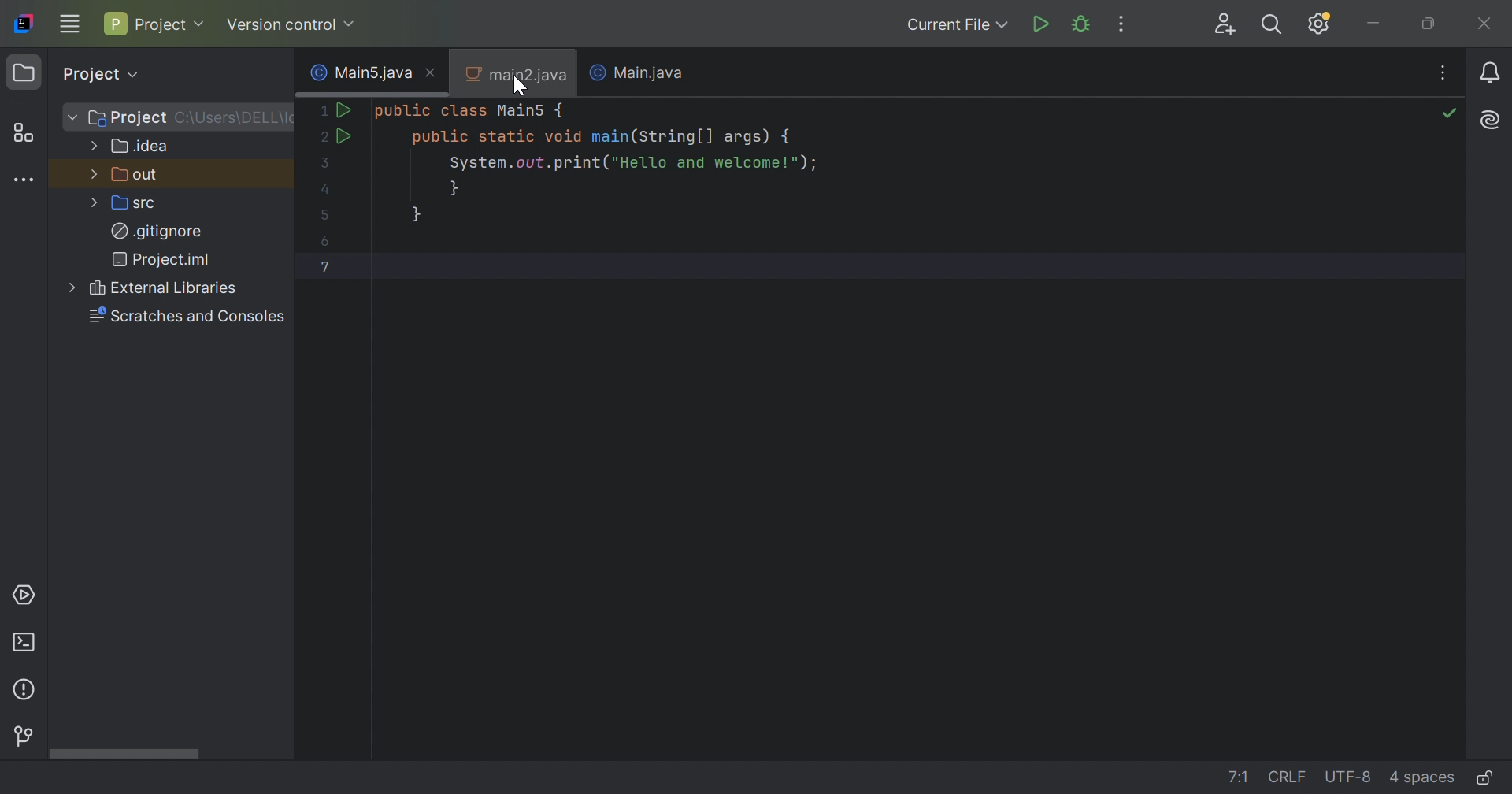 Image resolution: width=1512 pixels, height=794 pixels. I want to click on More Actions, so click(1121, 23).